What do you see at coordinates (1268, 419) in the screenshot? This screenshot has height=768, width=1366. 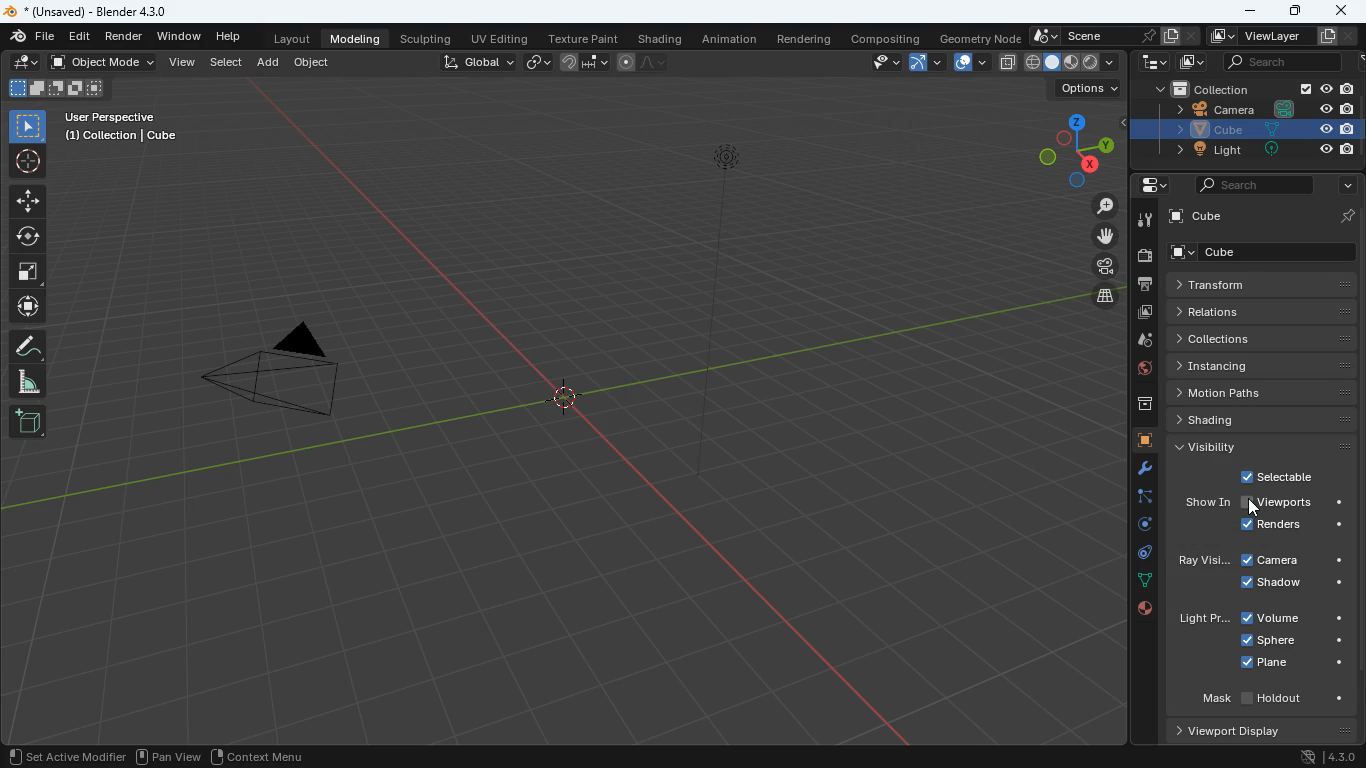 I see `shading` at bounding box center [1268, 419].